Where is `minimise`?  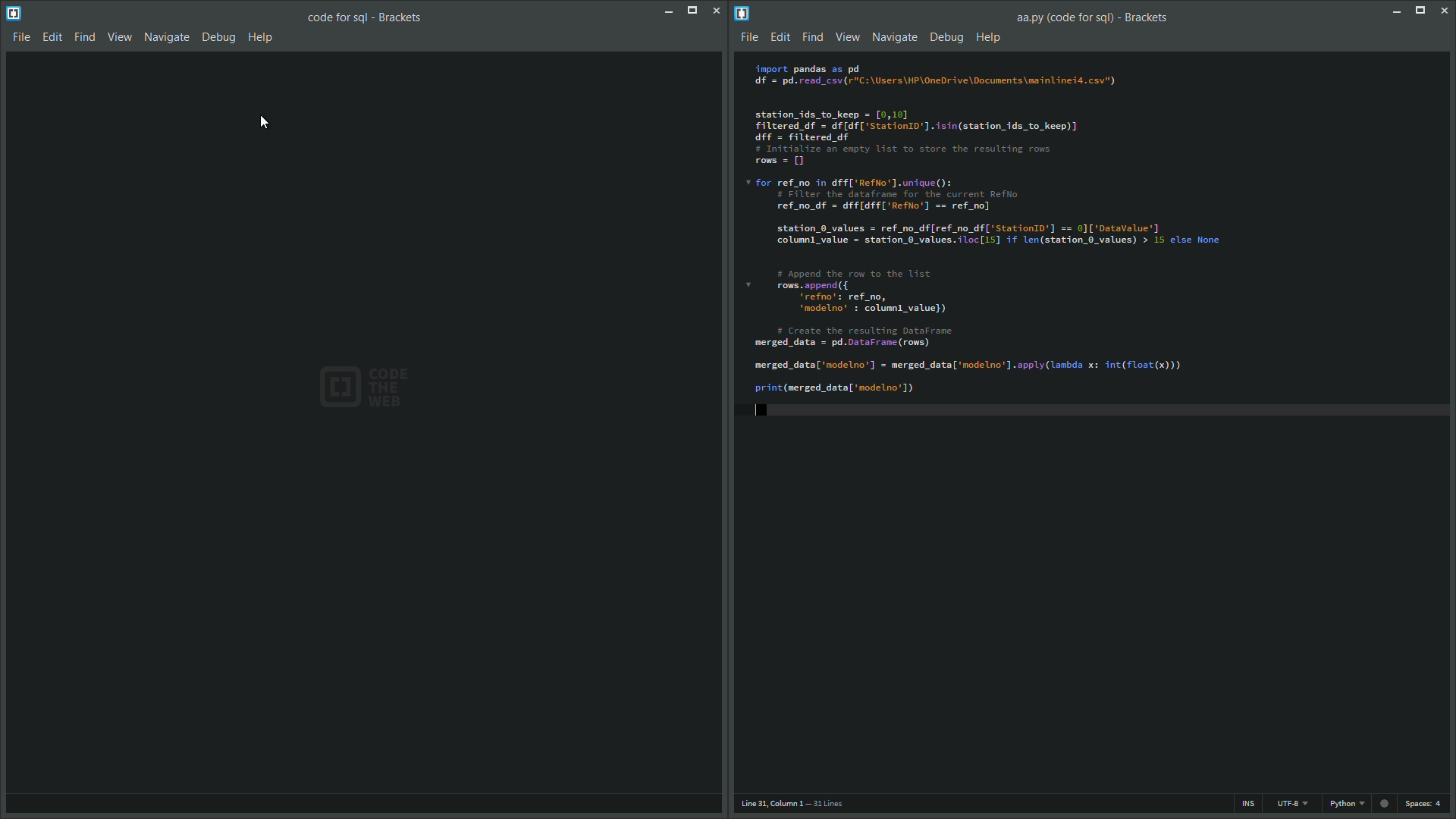
minimise is located at coordinates (1395, 13).